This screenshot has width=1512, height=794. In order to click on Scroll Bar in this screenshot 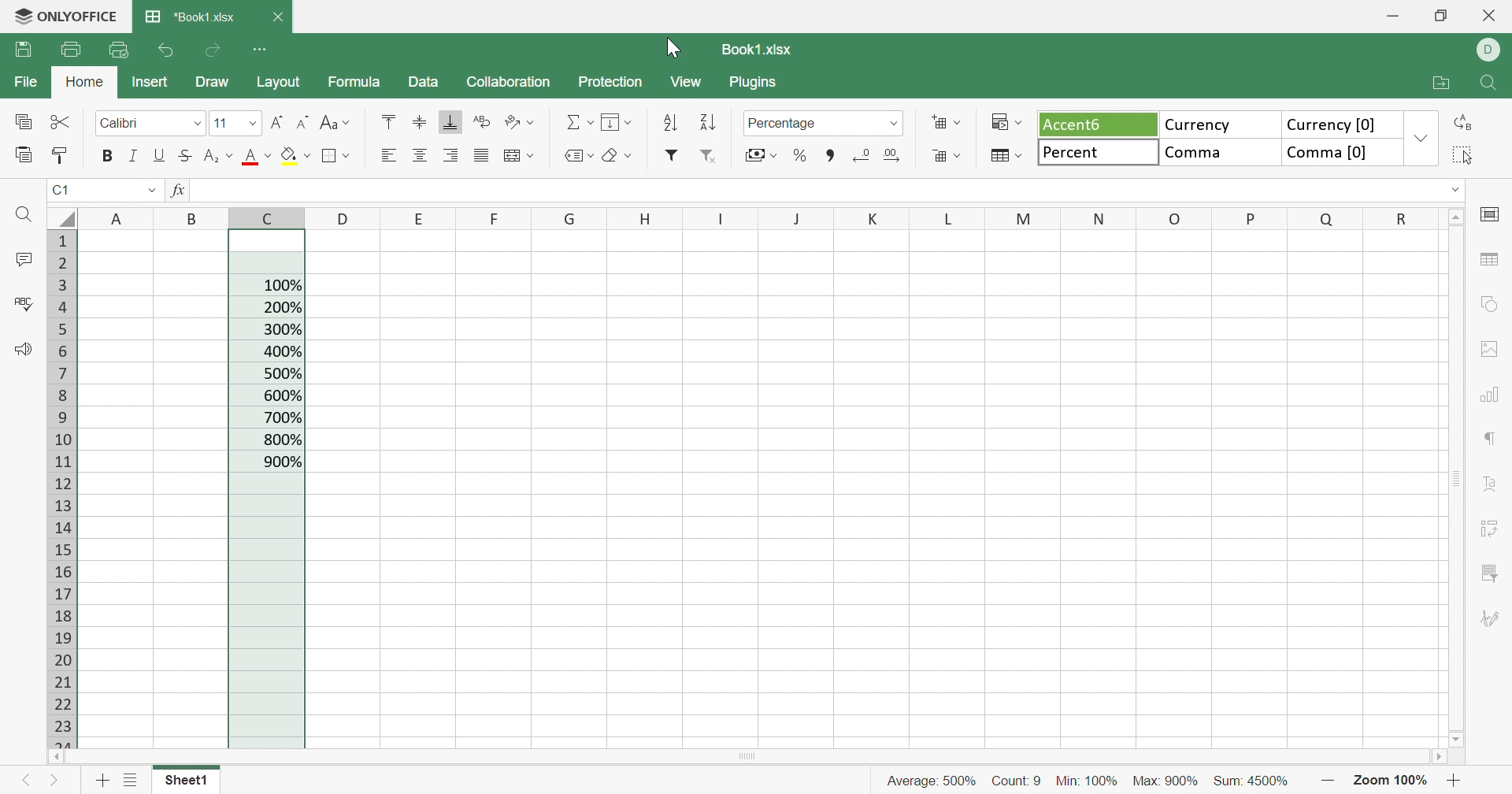, I will do `click(1458, 478)`.